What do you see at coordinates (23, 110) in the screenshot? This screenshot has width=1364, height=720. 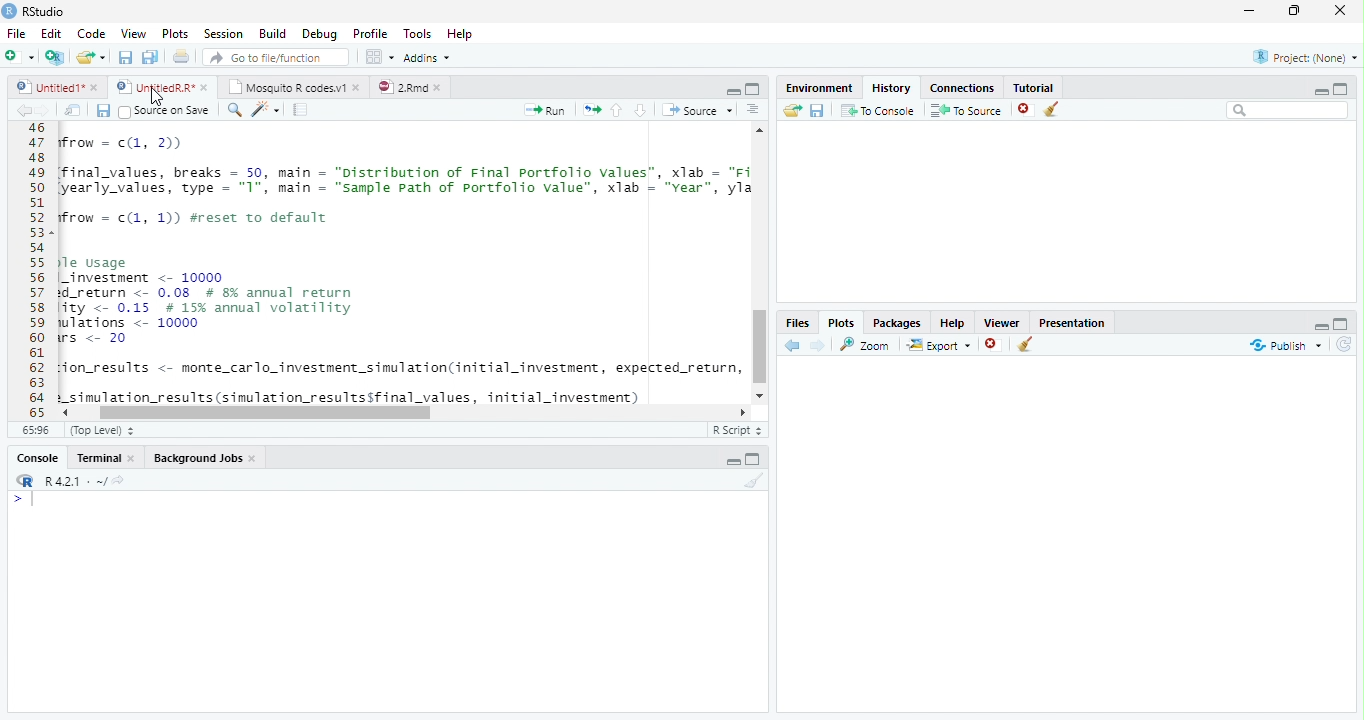 I see `previous source location` at bounding box center [23, 110].